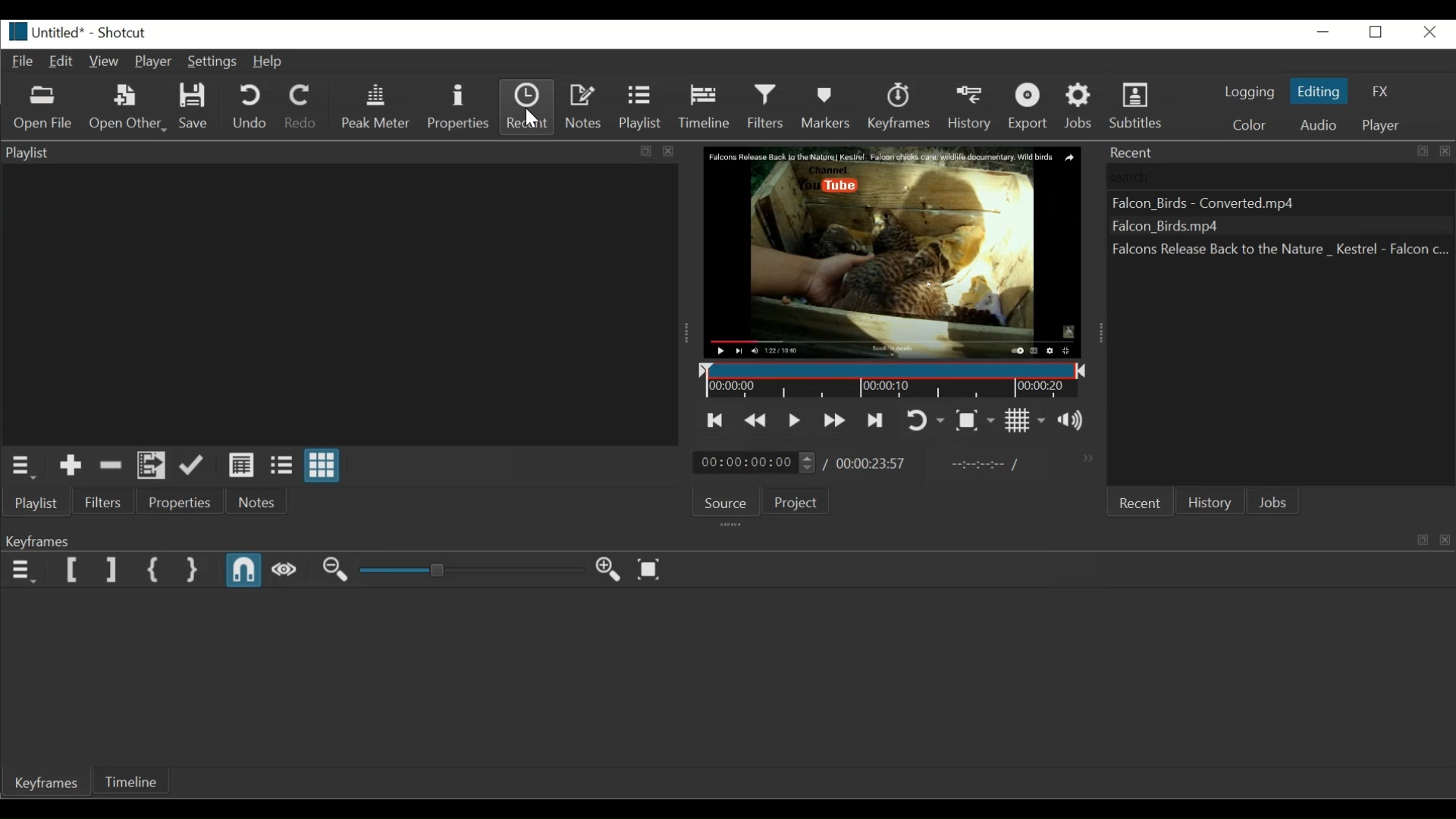 This screenshot has height=819, width=1456. What do you see at coordinates (1276, 227) in the screenshot?
I see `Falcon_Birds -Converted.mp4    Falcon_Birds.mp4    Falcons Release Back to the Nature_Kestrel - Falcon (recent files listed)` at bounding box center [1276, 227].